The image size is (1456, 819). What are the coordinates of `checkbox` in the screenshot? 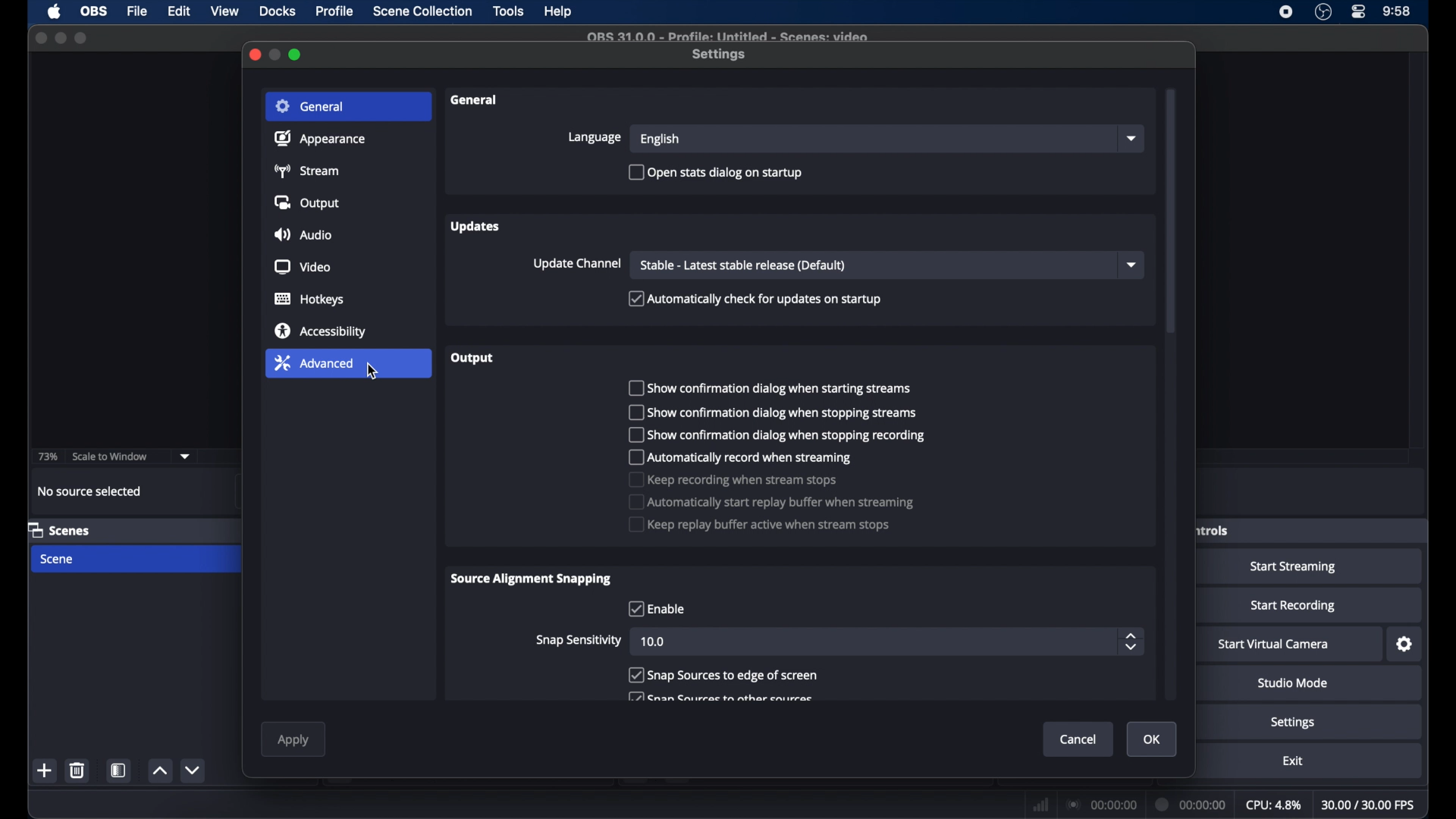 It's located at (770, 413).